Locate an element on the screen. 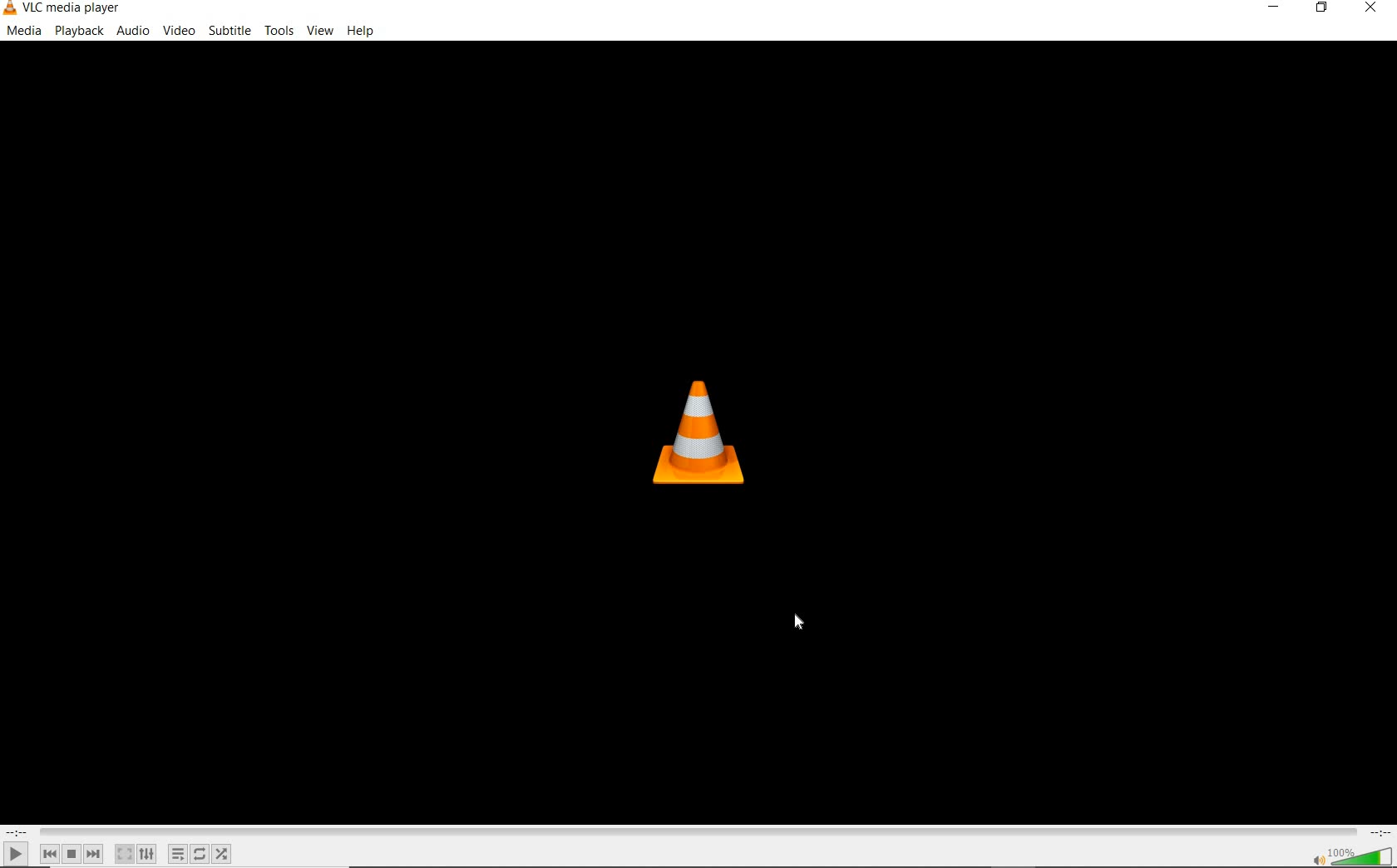 This screenshot has width=1397, height=868. system name is located at coordinates (63, 9).